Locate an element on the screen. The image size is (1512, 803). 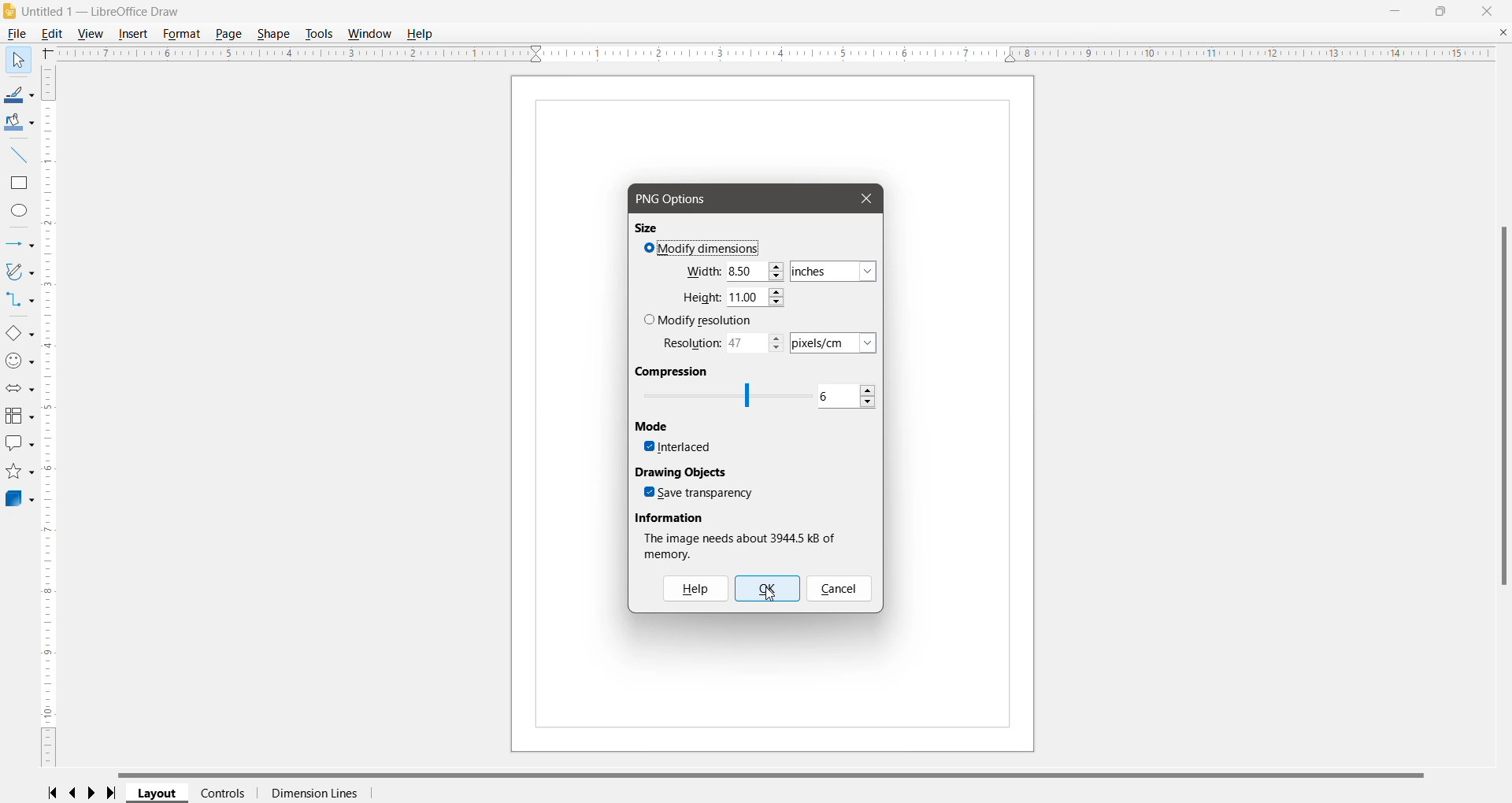
Help is located at coordinates (696, 589).